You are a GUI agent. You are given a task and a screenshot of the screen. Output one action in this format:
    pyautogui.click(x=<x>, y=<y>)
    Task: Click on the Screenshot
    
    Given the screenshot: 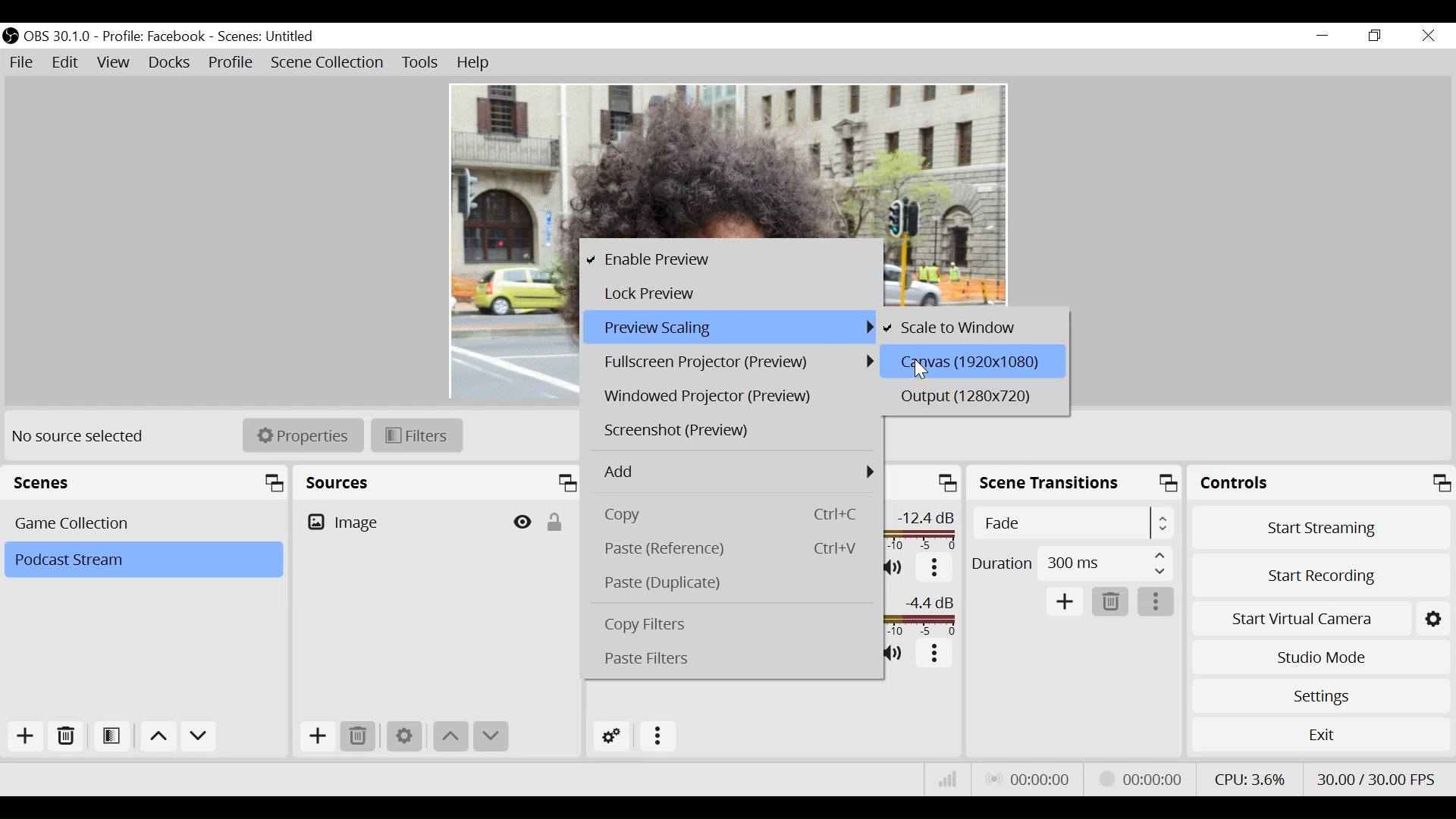 What is the action you would take?
    pyautogui.click(x=731, y=431)
    